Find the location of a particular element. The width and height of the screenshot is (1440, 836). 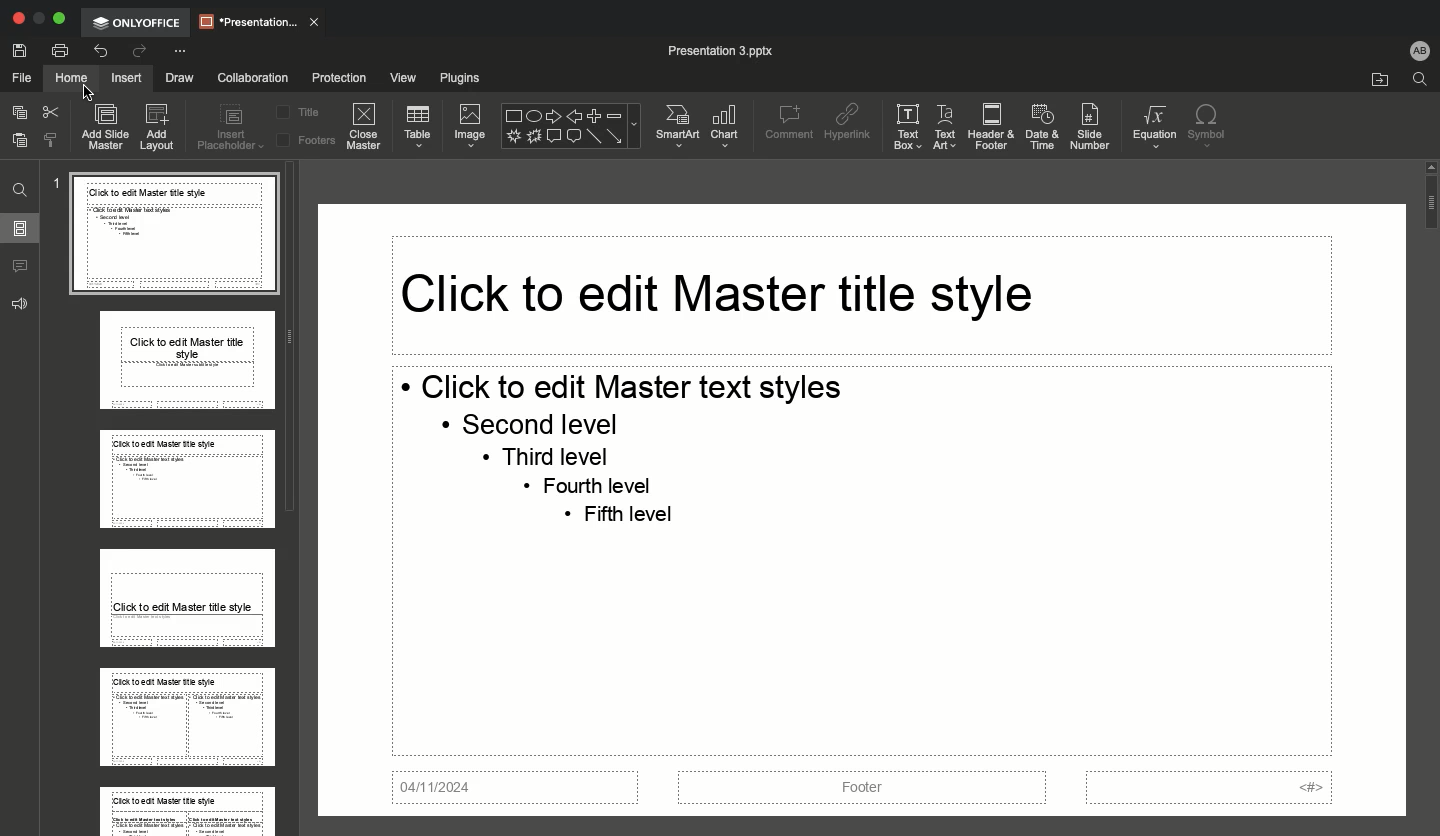

Print is located at coordinates (59, 52).